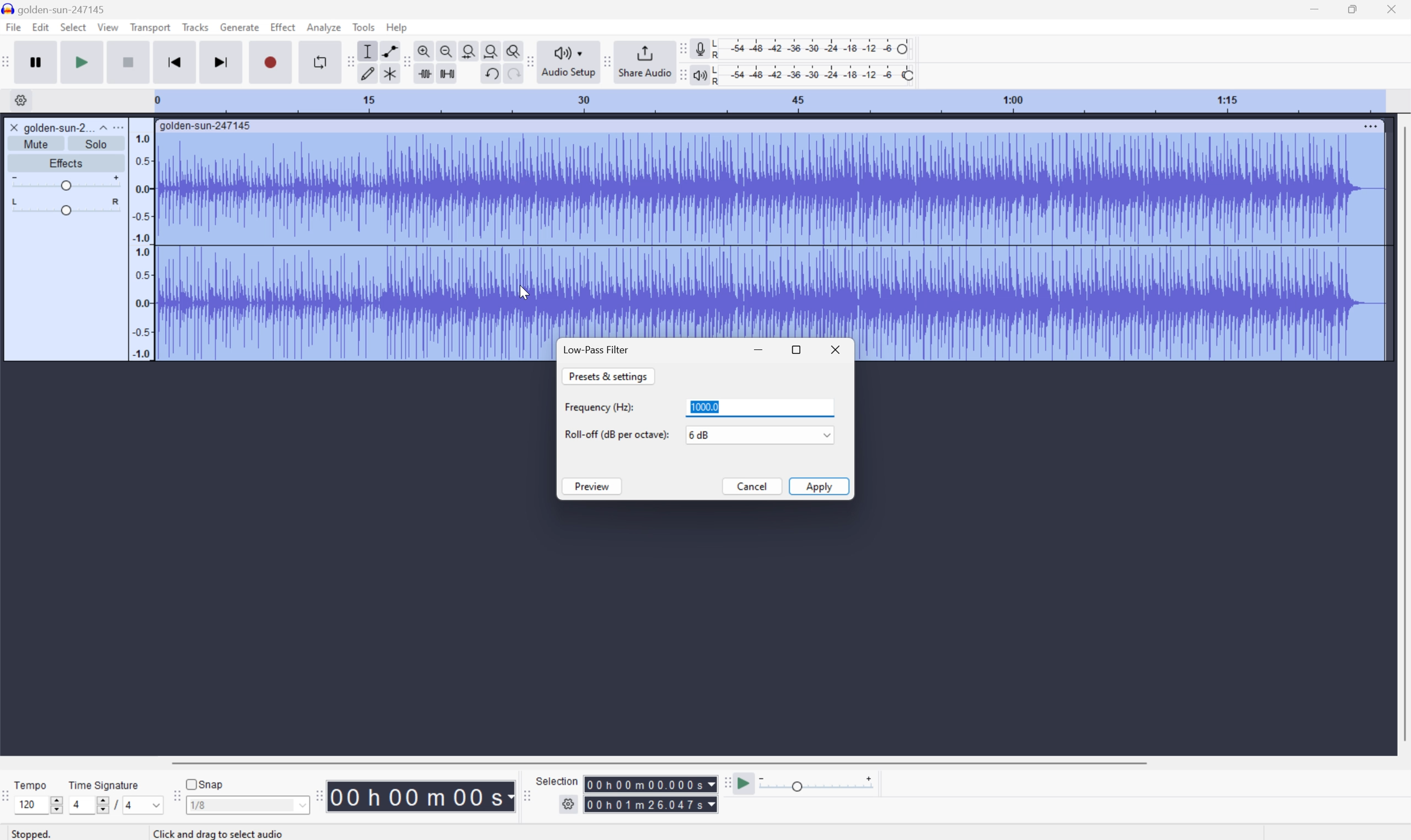 This screenshot has width=1411, height=840. I want to click on Selection tool, so click(368, 51).